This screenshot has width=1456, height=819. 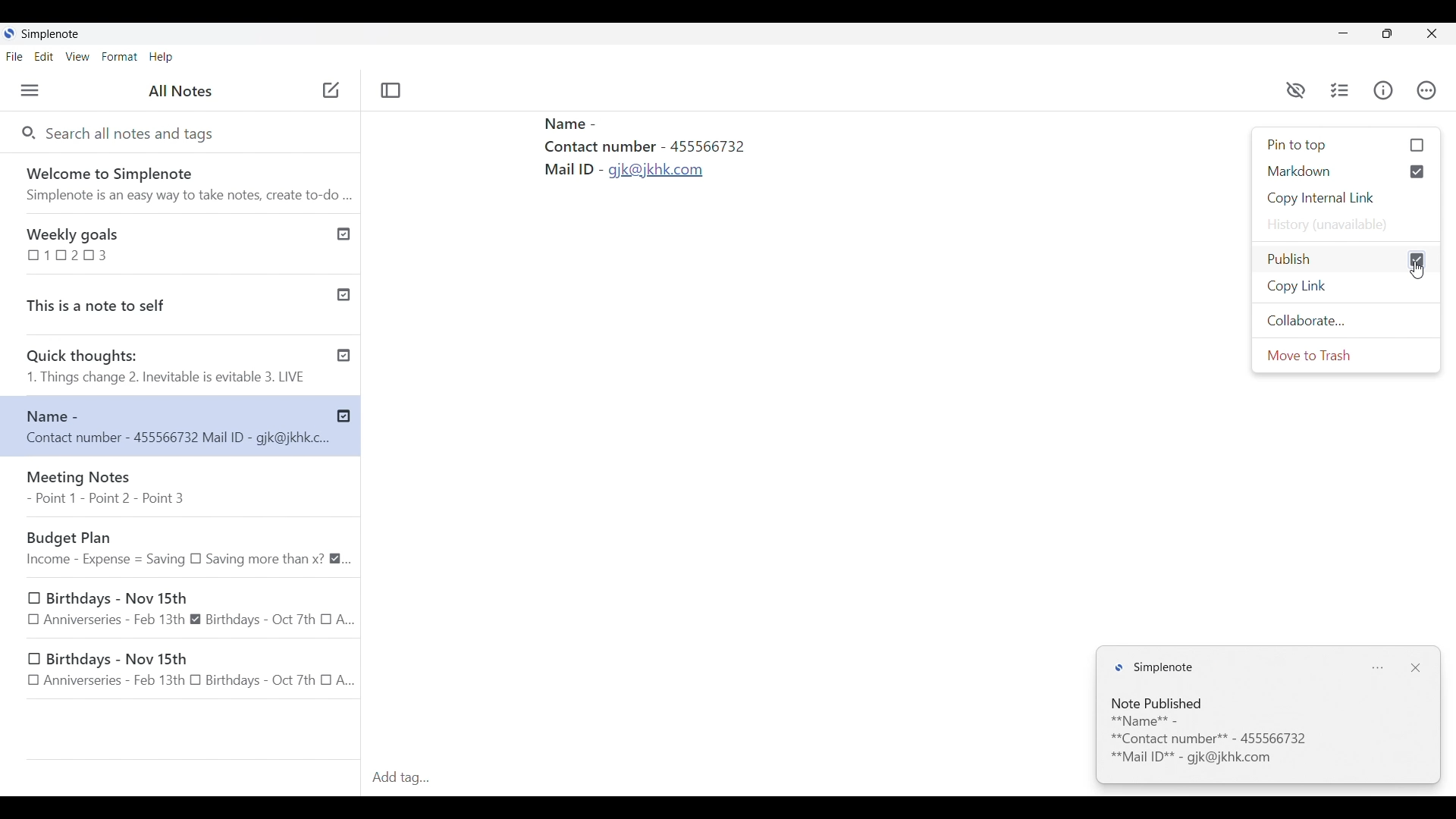 What do you see at coordinates (331, 89) in the screenshot?
I see `Add new note` at bounding box center [331, 89].